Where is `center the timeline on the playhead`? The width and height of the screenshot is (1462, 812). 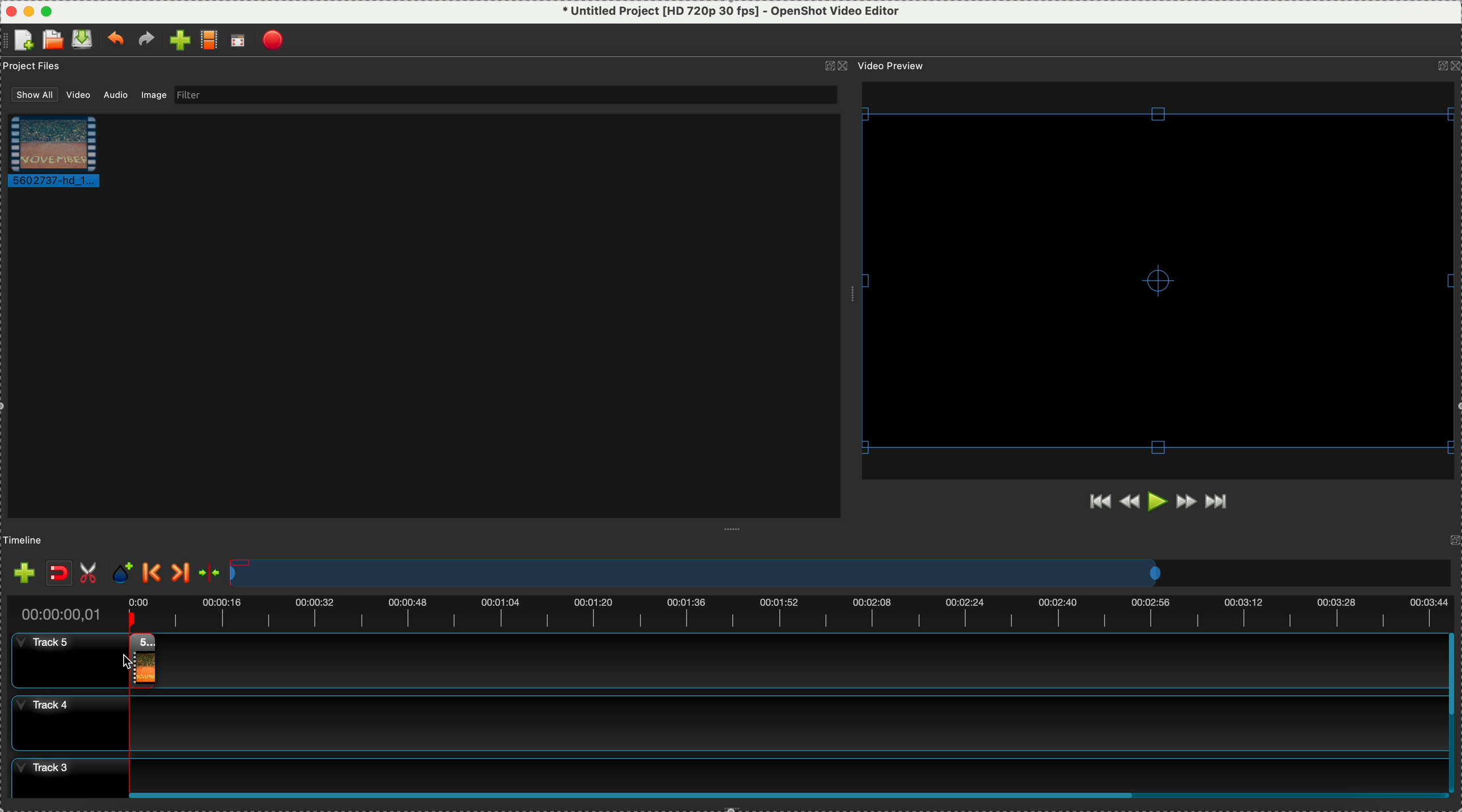
center the timeline on the playhead is located at coordinates (211, 573).